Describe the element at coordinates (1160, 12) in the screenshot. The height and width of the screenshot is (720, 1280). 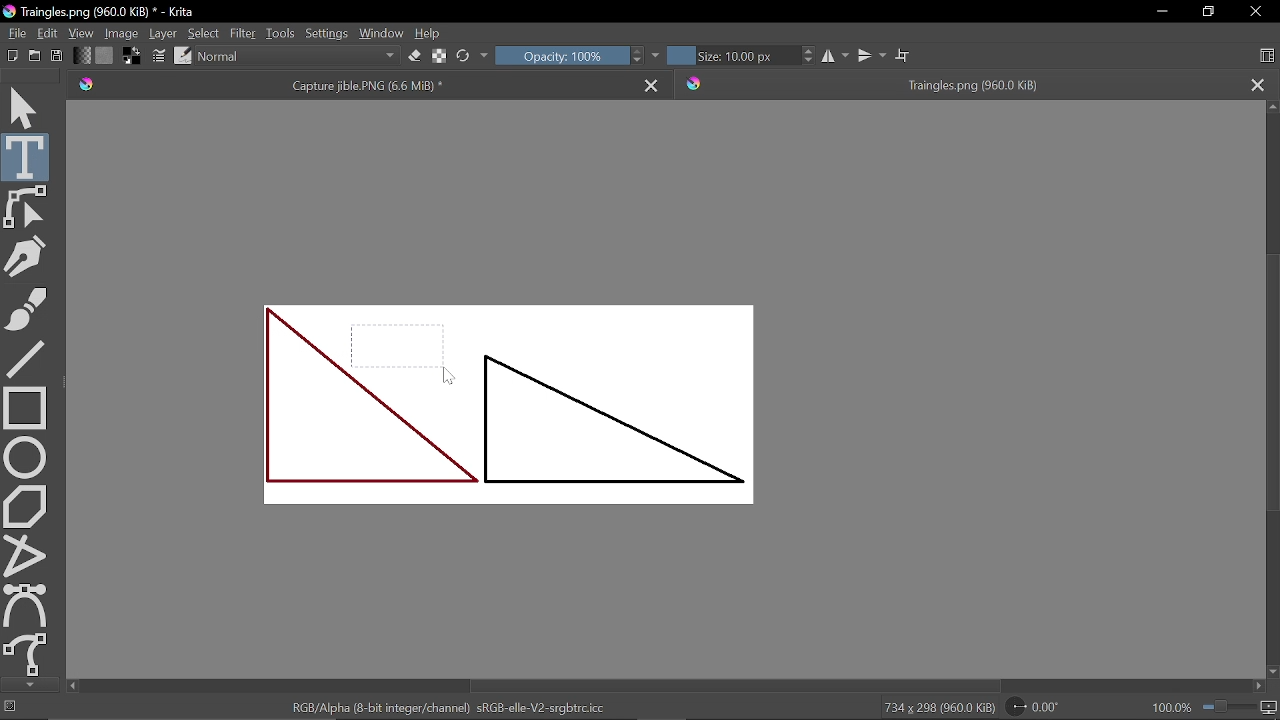
I see `Minimize` at that location.